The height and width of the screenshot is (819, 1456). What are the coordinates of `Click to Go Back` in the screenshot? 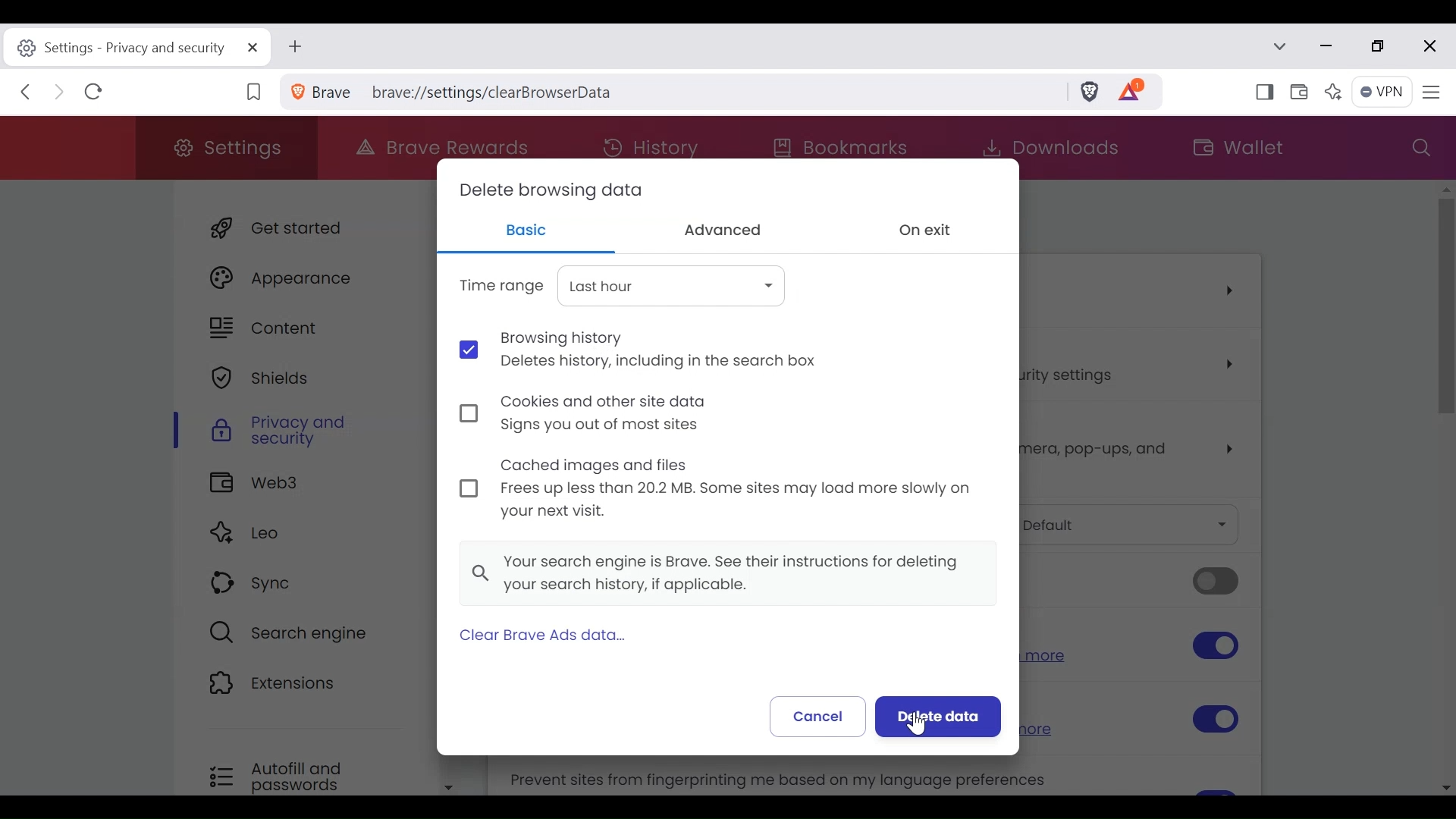 It's located at (30, 95).